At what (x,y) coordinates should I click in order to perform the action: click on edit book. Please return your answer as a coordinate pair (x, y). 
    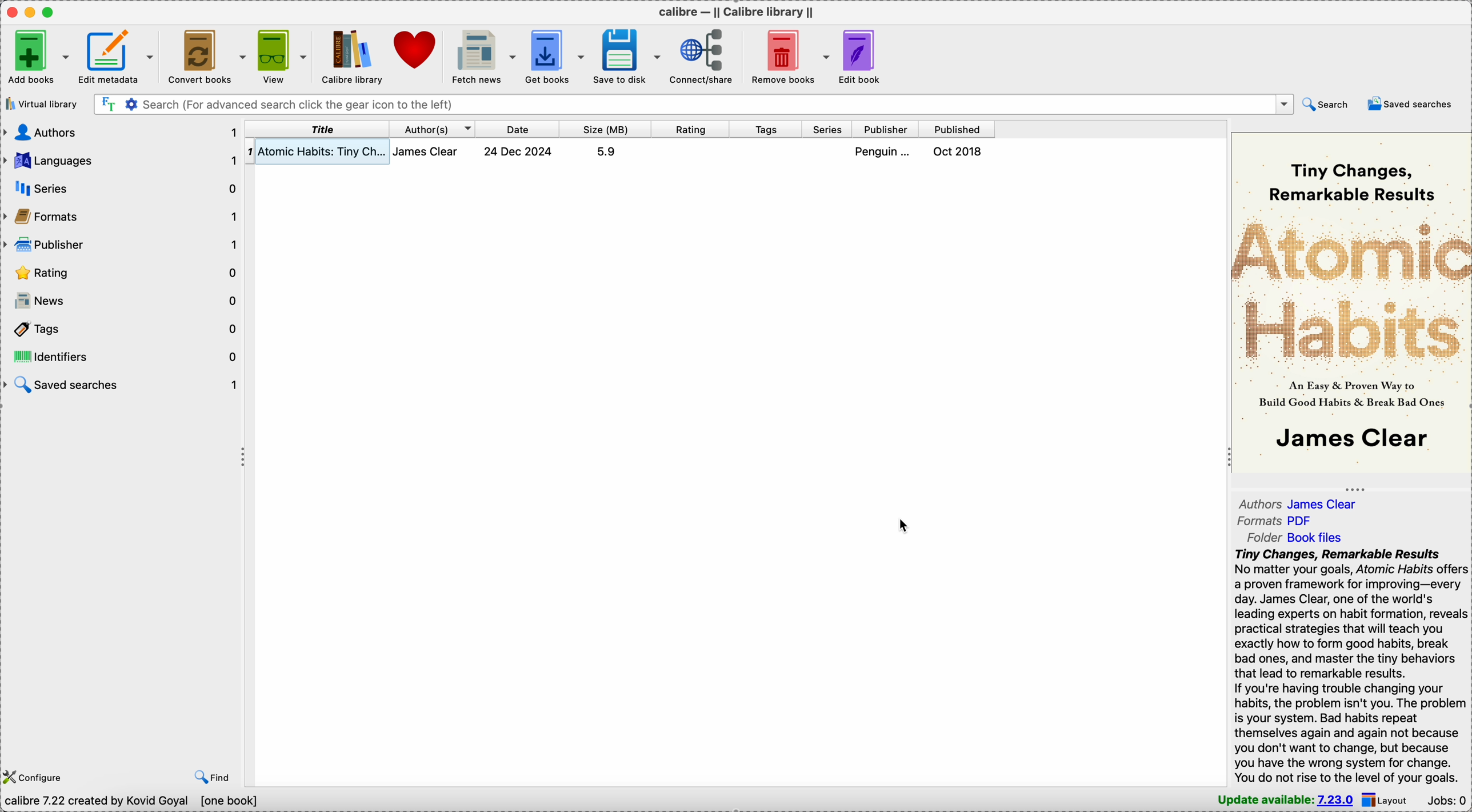
    Looking at the image, I should click on (867, 56).